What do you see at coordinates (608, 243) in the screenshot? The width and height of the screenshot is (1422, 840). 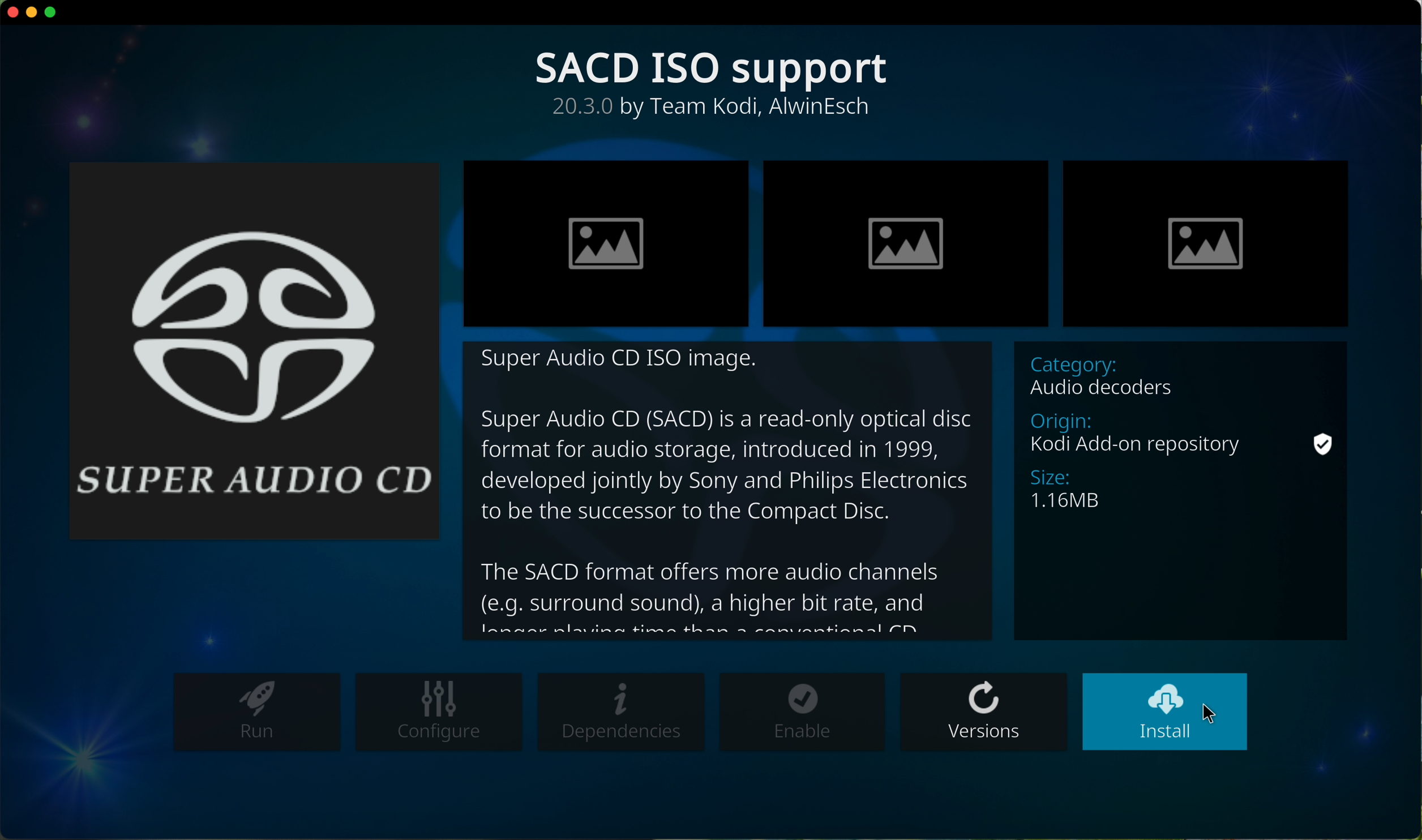 I see `image` at bounding box center [608, 243].